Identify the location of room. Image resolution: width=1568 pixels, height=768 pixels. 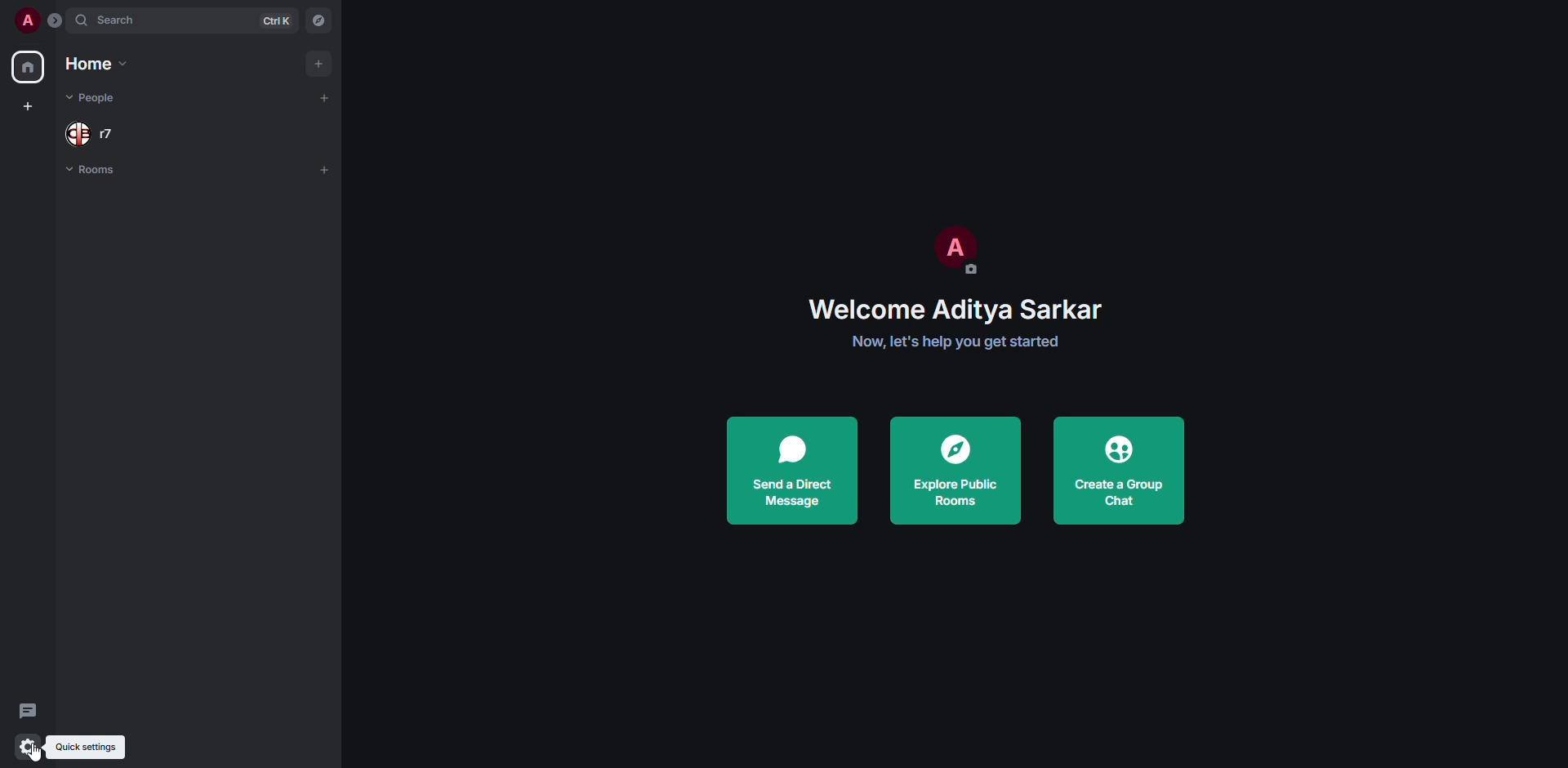
(91, 168).